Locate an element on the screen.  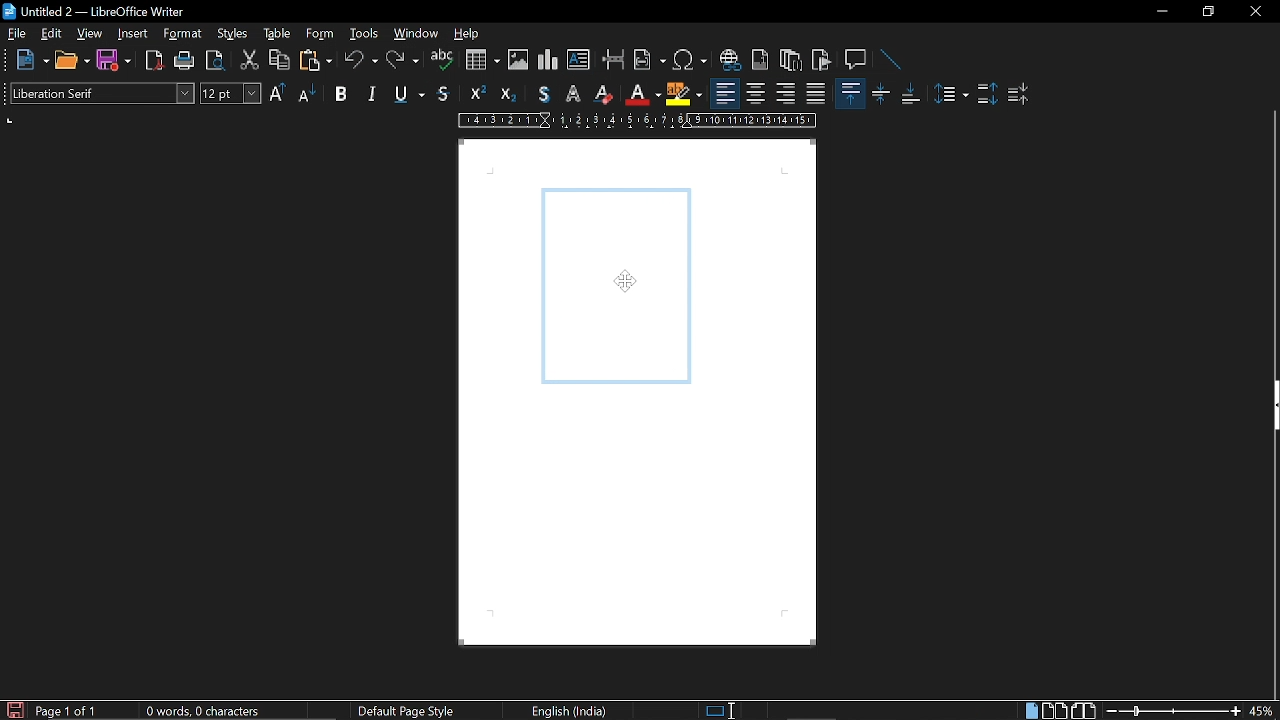
save is located at coordinates (14, 709).